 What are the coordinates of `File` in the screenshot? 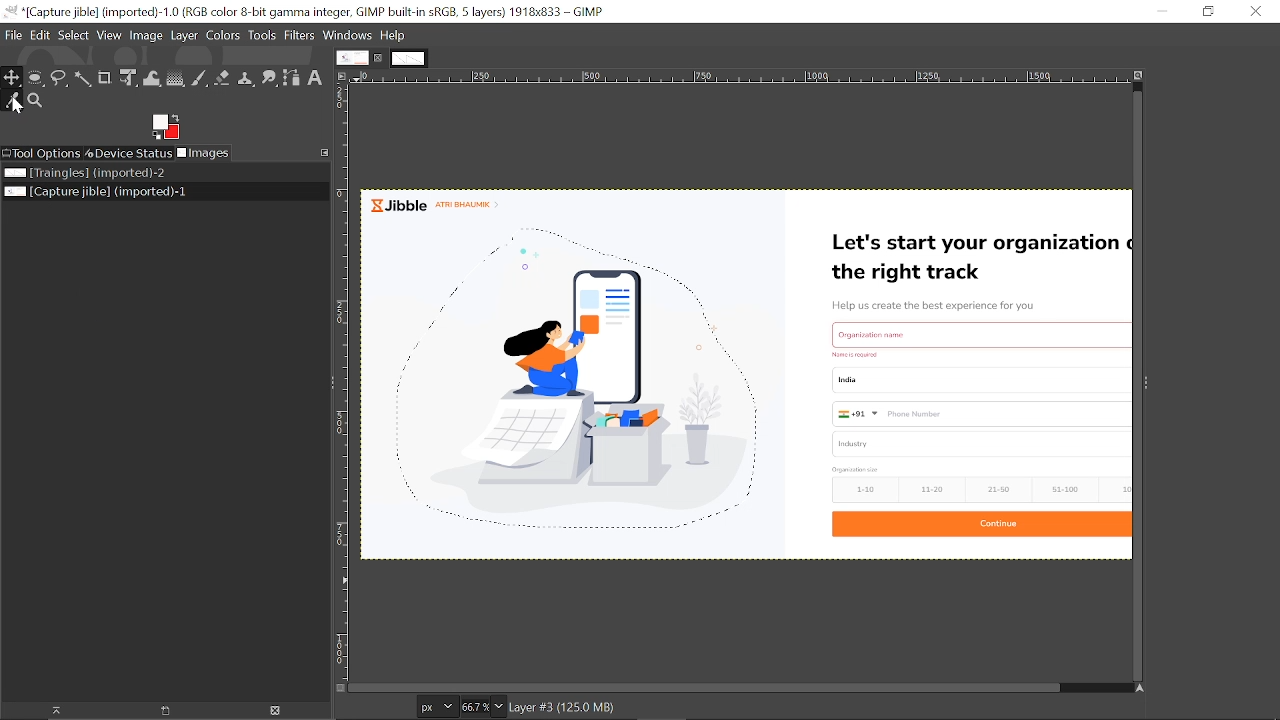 It's located at (13, 35).